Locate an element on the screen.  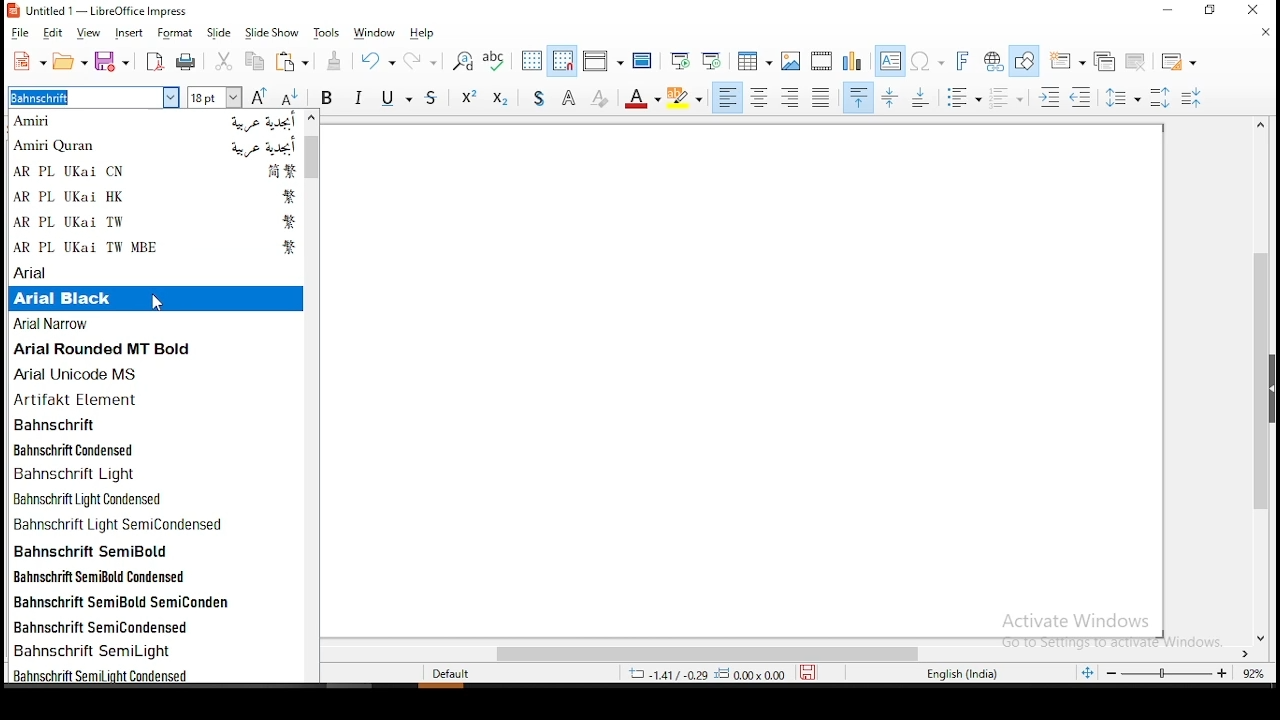
bold is located at coordinates (328, 97).